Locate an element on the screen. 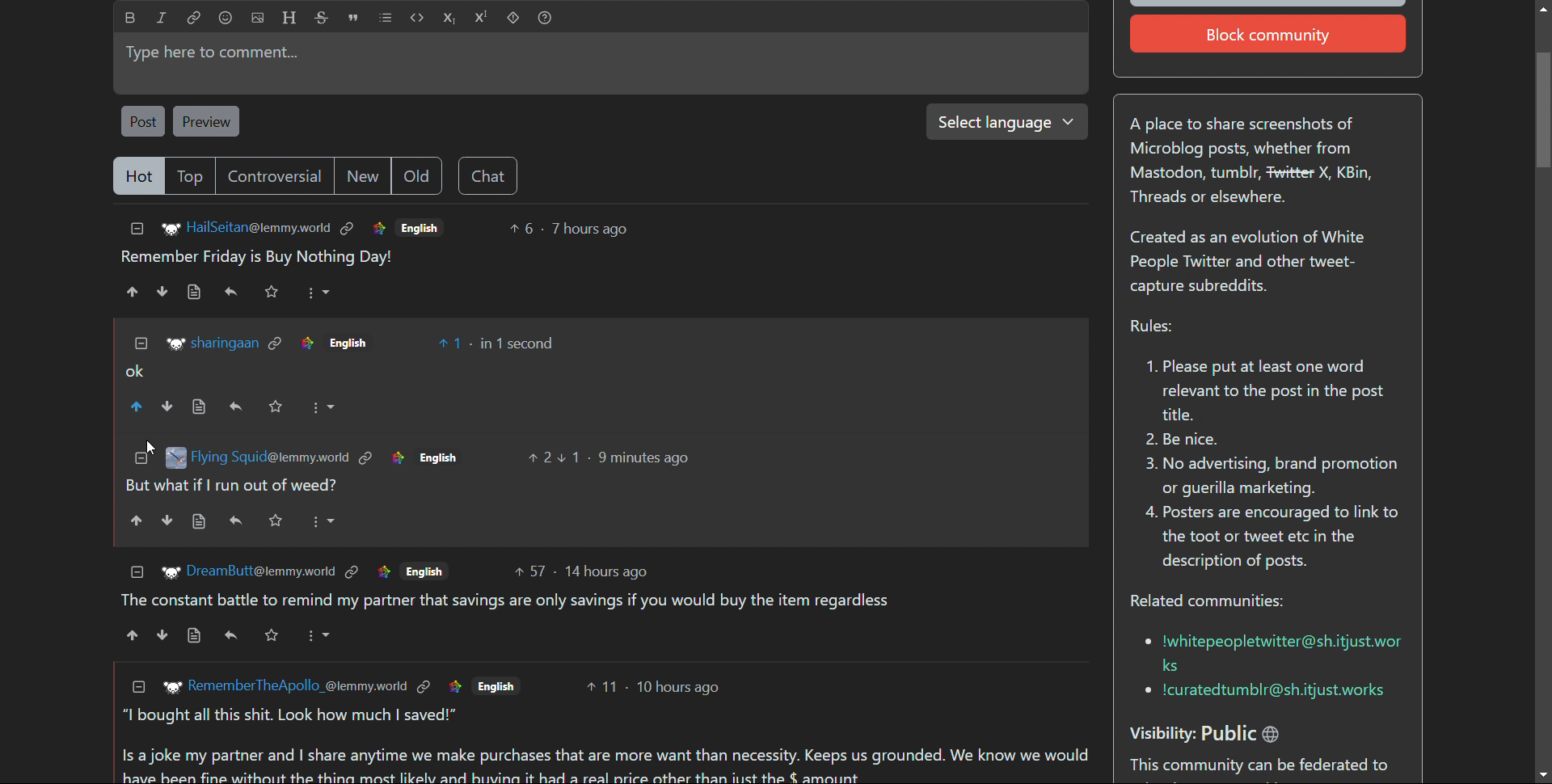 The height and width of the screenshot is (784, 1552). username is located at coordinates (259, 227).